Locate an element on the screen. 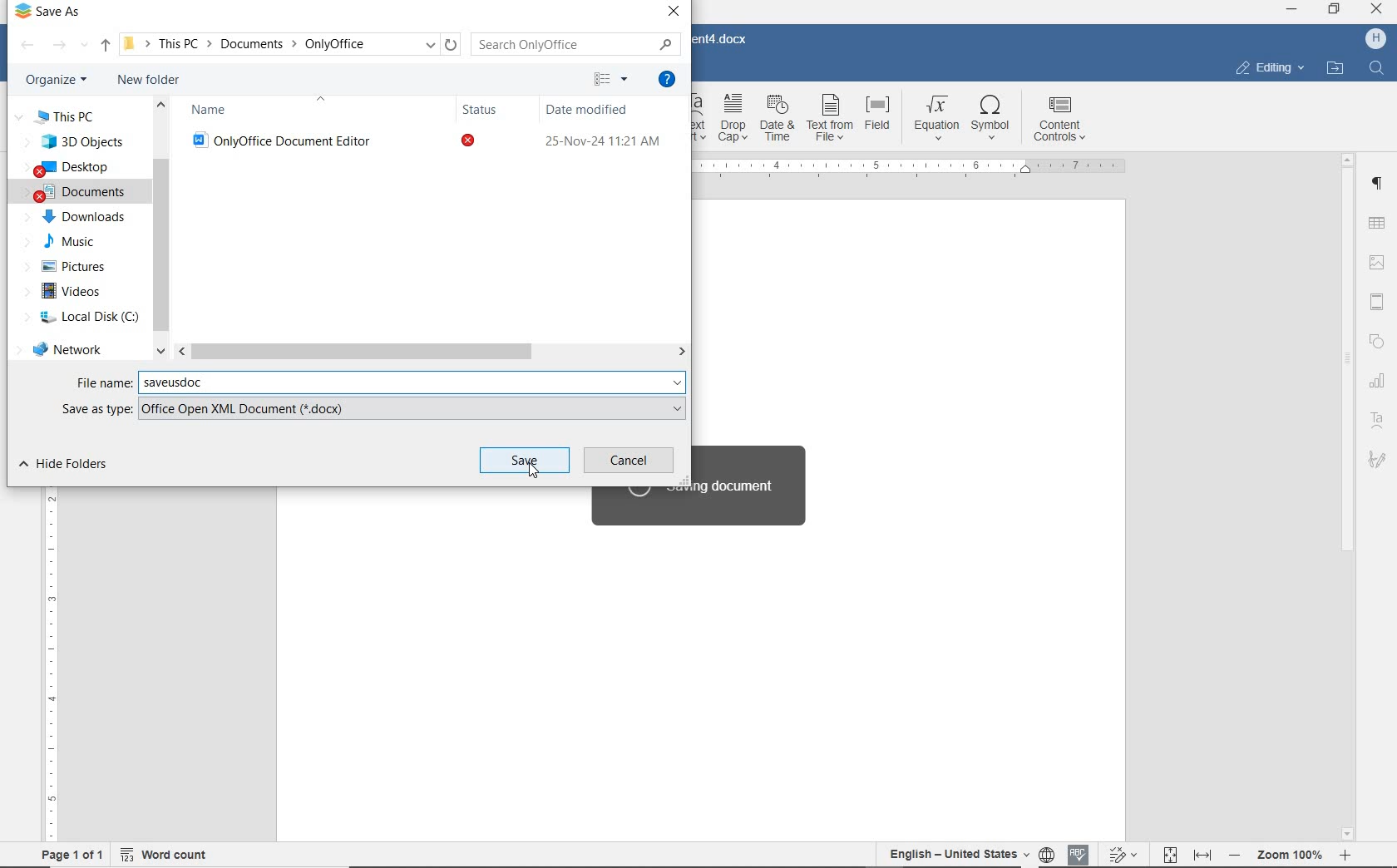 The height and width of the screenshot is (868, 1397). Fit to page is located at coordinates (1172, 855).